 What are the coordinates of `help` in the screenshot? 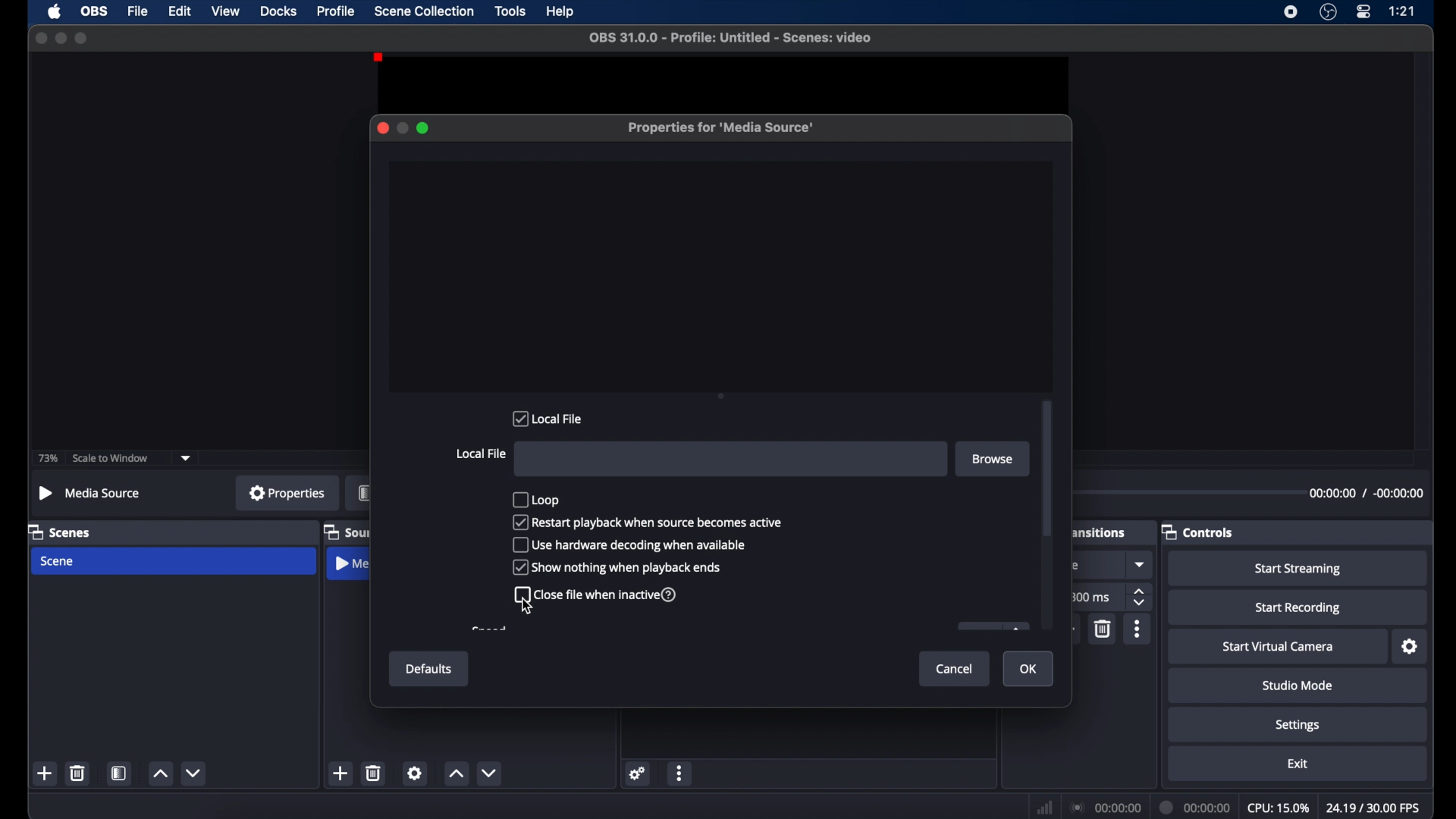 It's located at (561, 13).